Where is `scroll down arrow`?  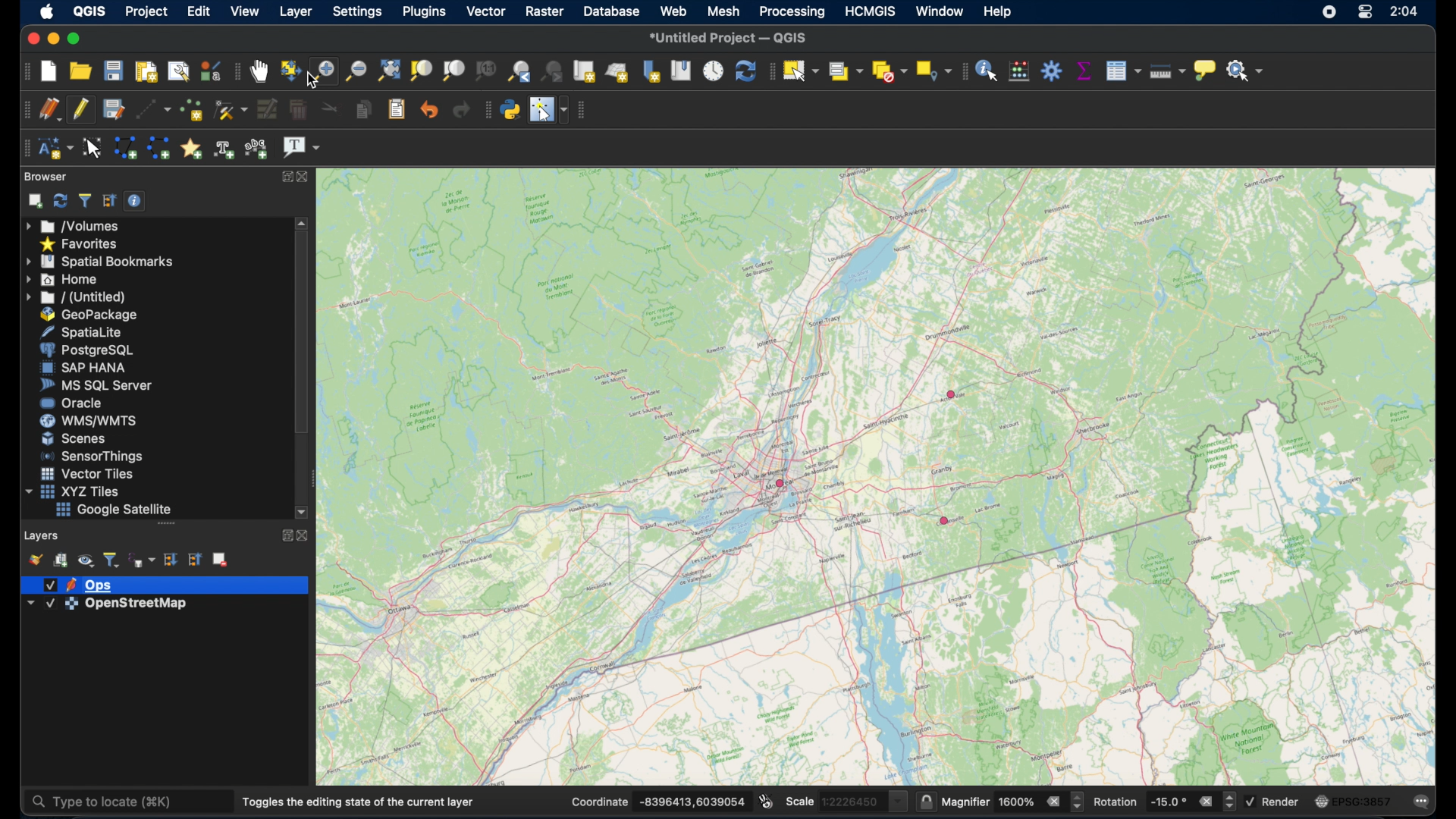 scroll down arrow is located at coordinates (306, 512).